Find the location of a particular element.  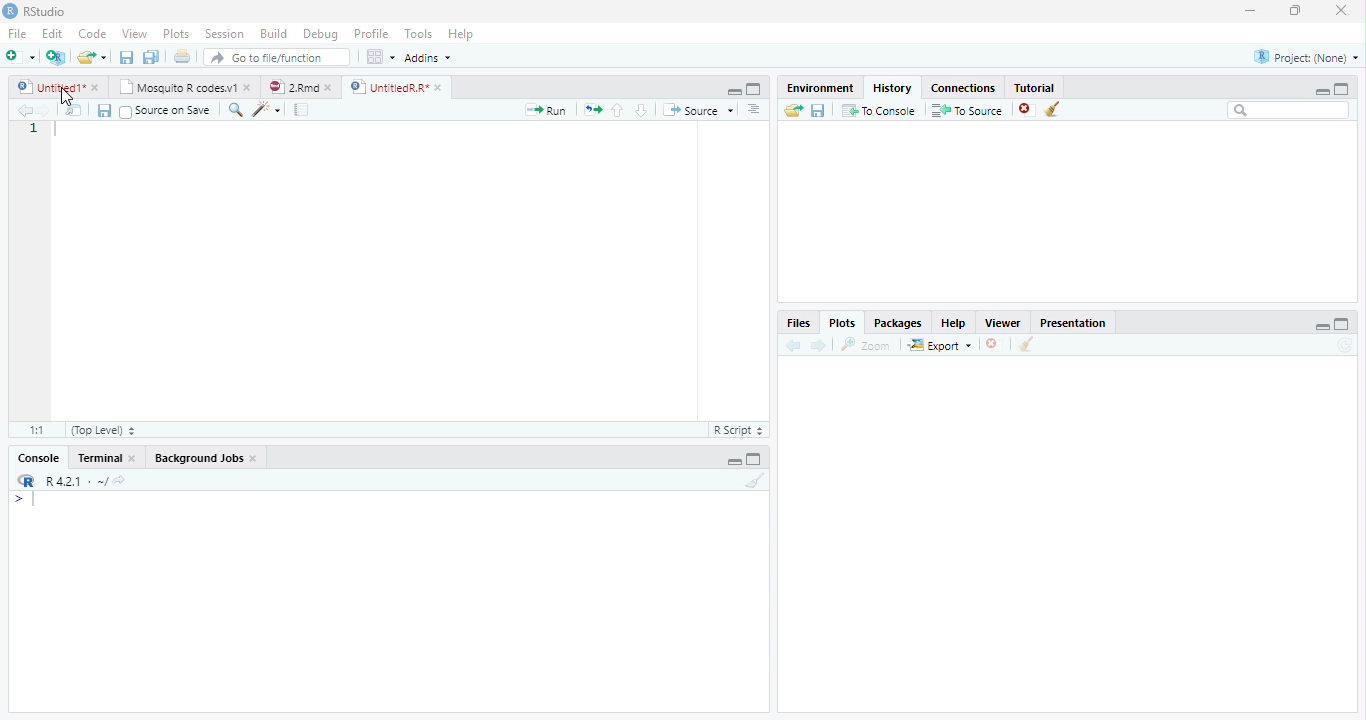

Plots is located at coordinates (177, 34).